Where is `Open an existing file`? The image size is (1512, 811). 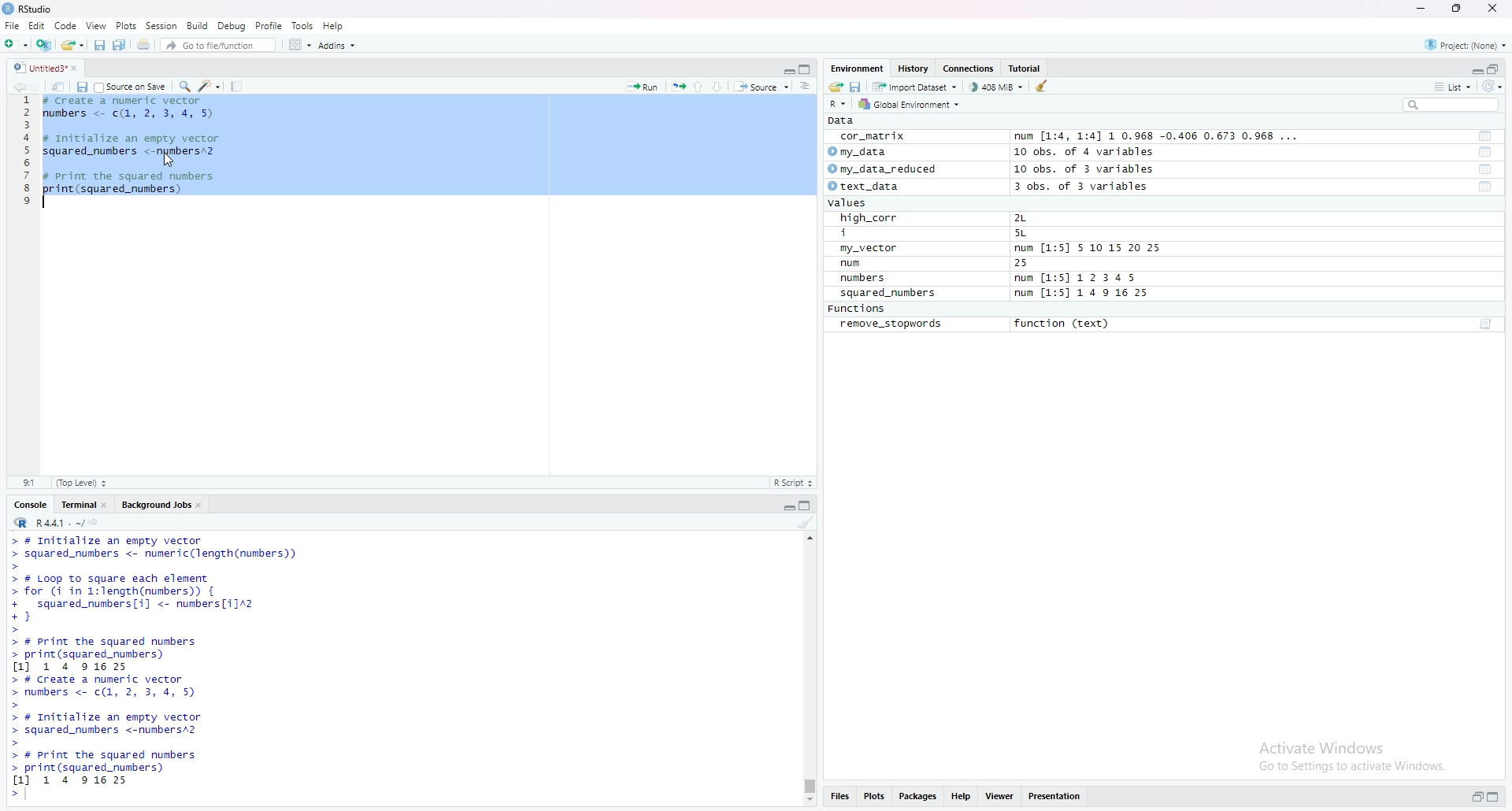 Open an existing file is located at coordinates (72, 43).